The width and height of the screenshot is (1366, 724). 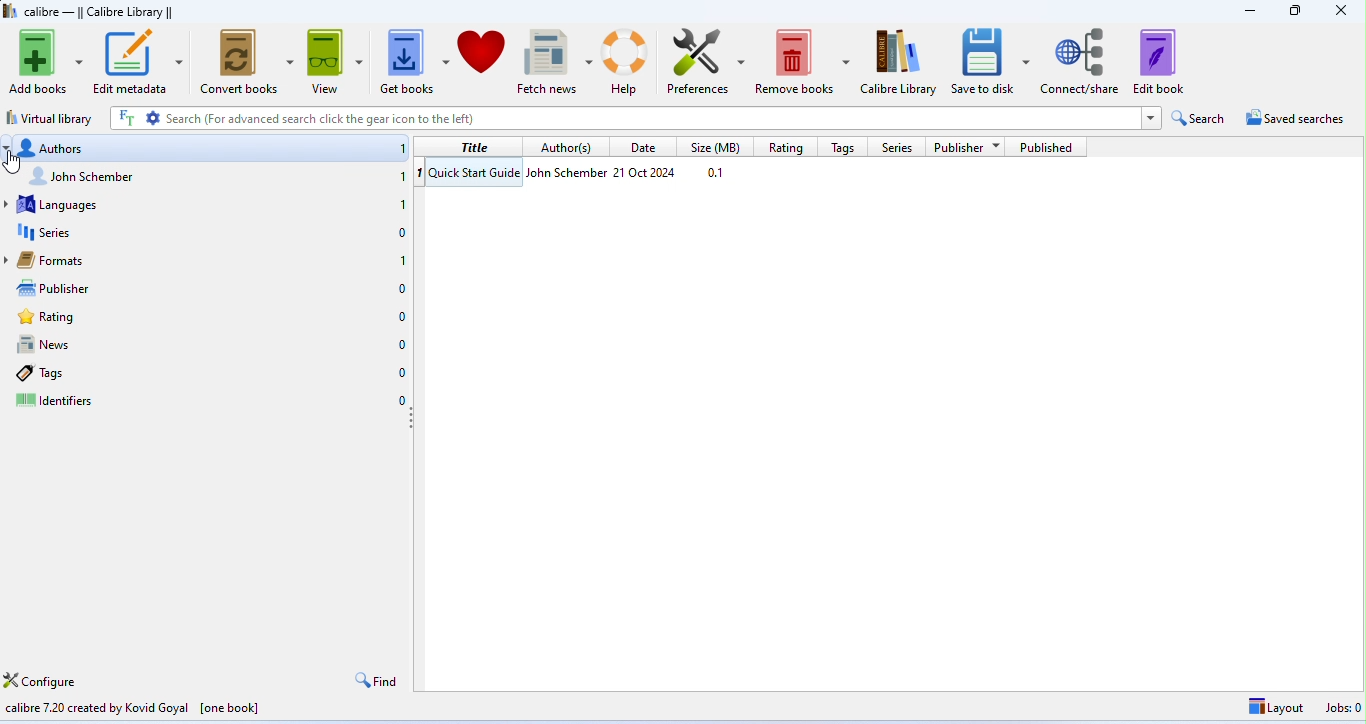 What do you see at coordinates (46, 60) in the screenshot?
I see `add books` at bounding box center [46, 60].